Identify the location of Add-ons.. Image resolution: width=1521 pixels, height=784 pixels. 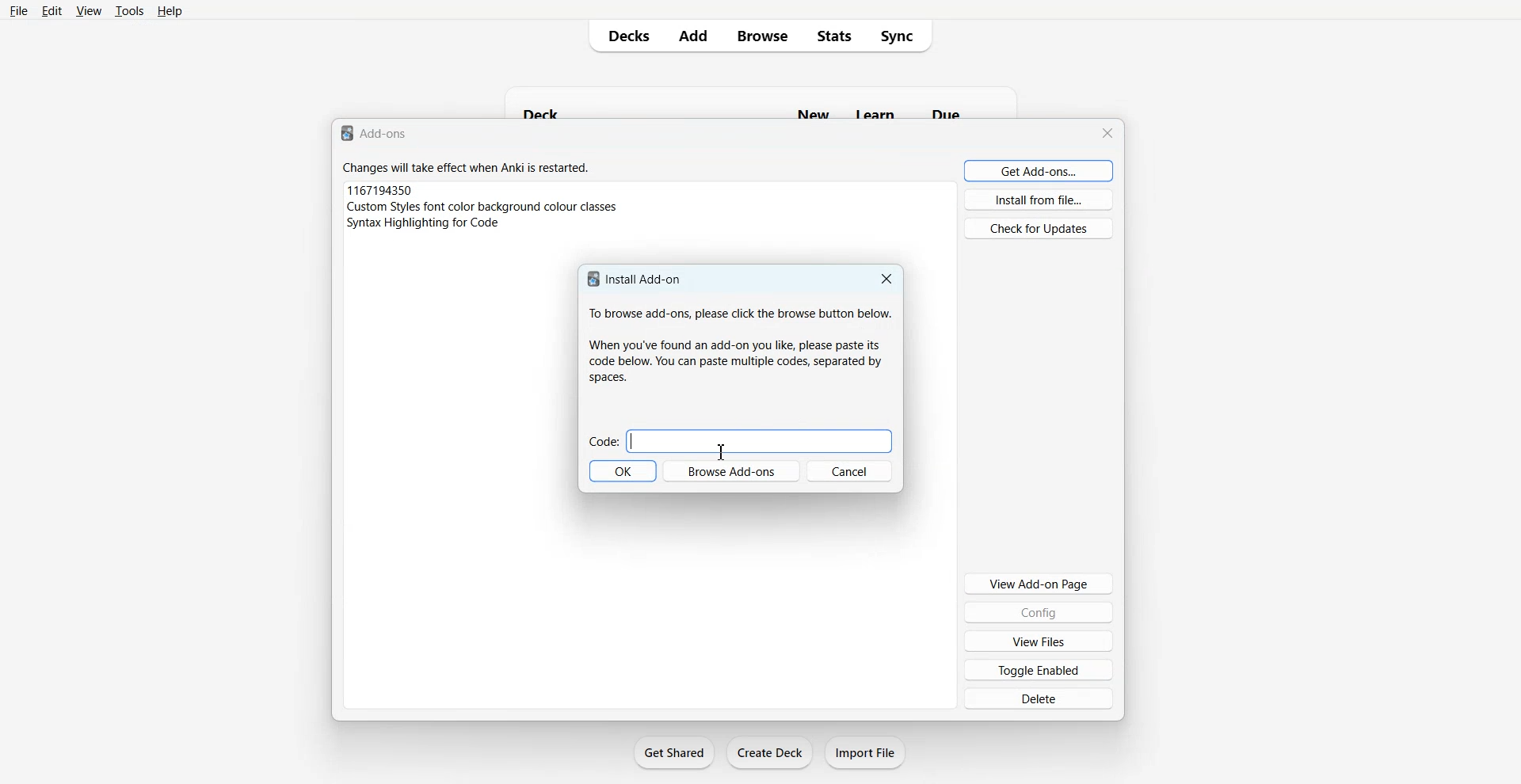
(377, 133).